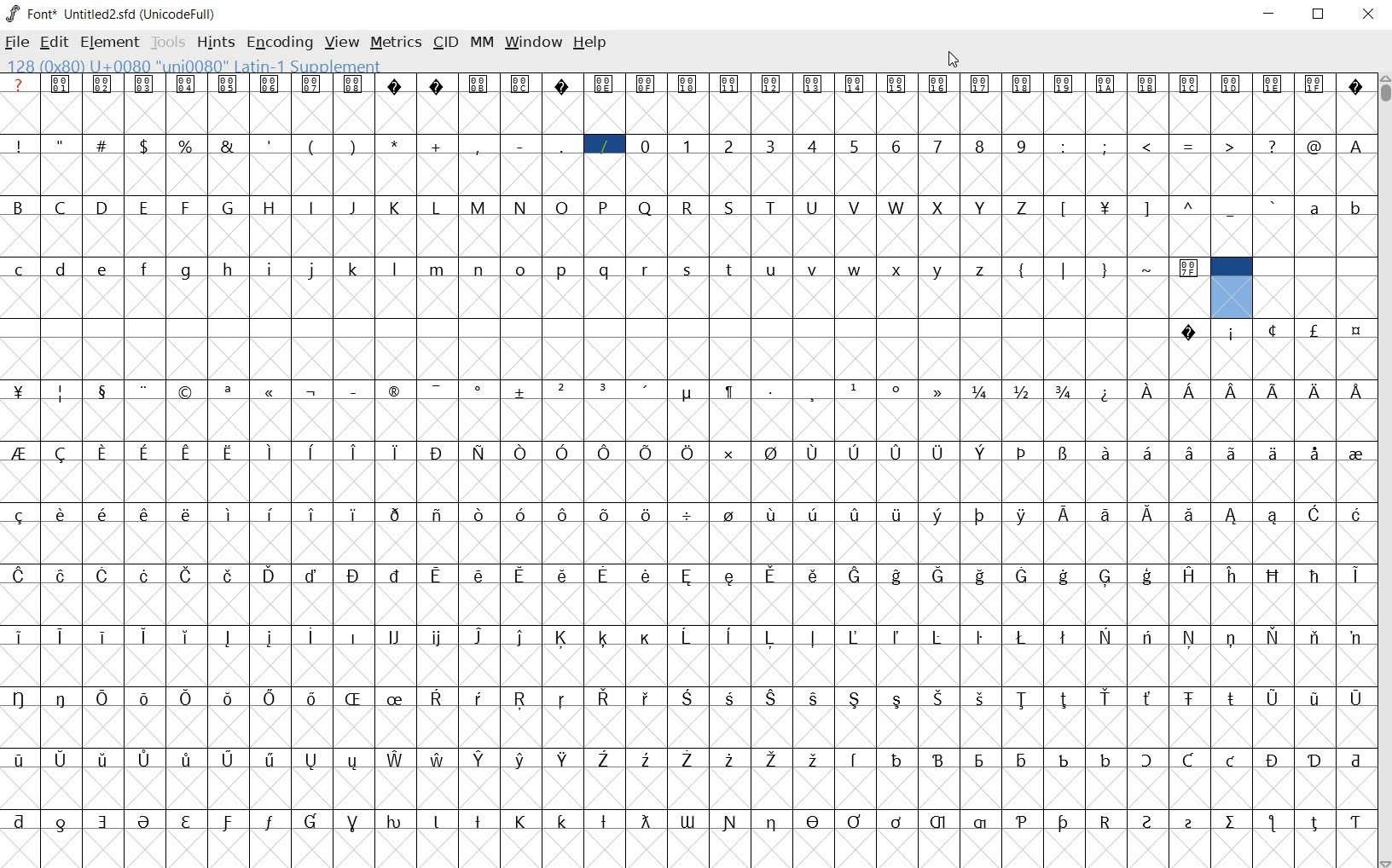 This screenshot has width=1392, height=868. I want to click on c, so click(20, 267).